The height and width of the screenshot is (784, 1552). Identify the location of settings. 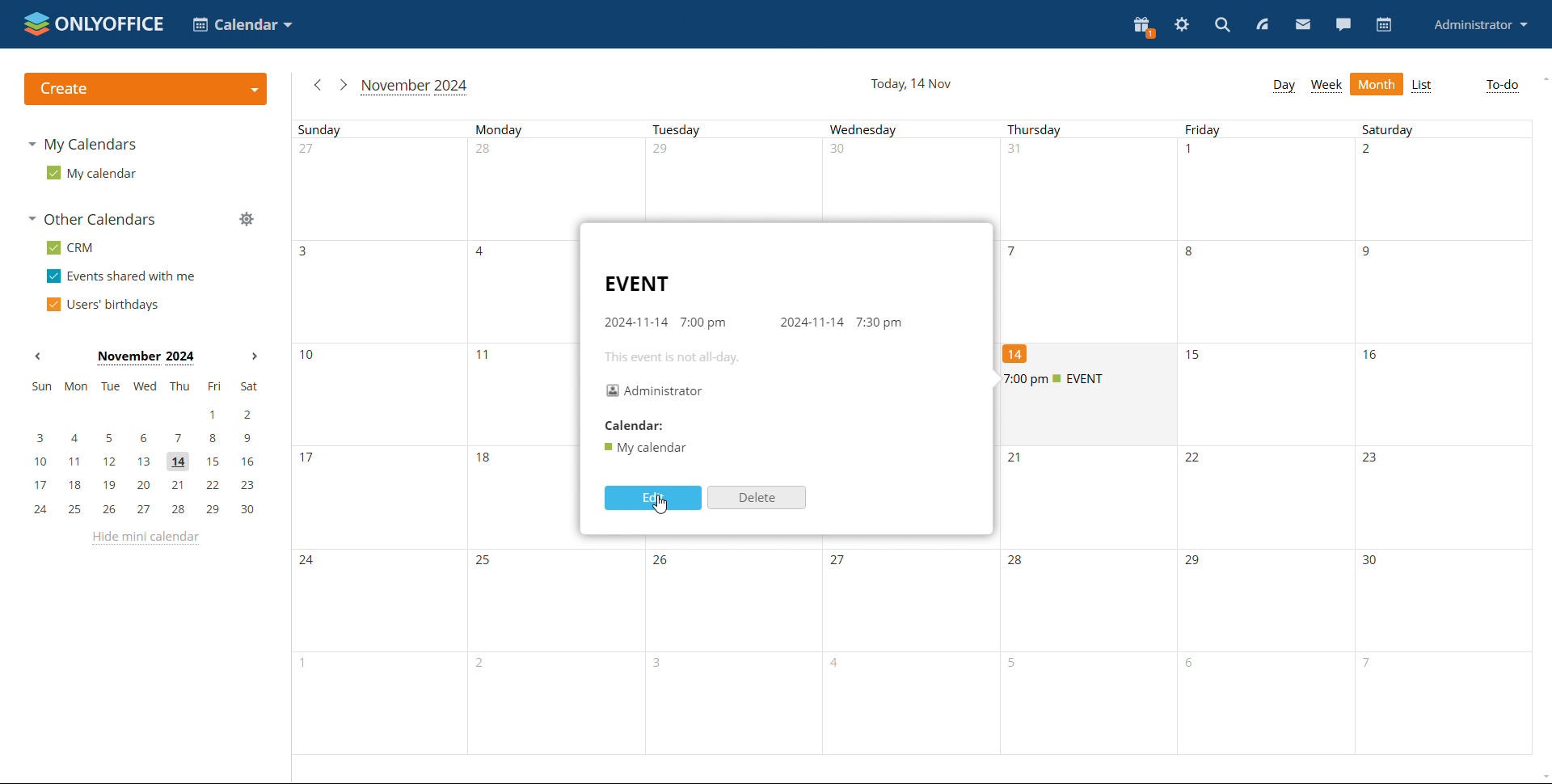
(1183, 24).